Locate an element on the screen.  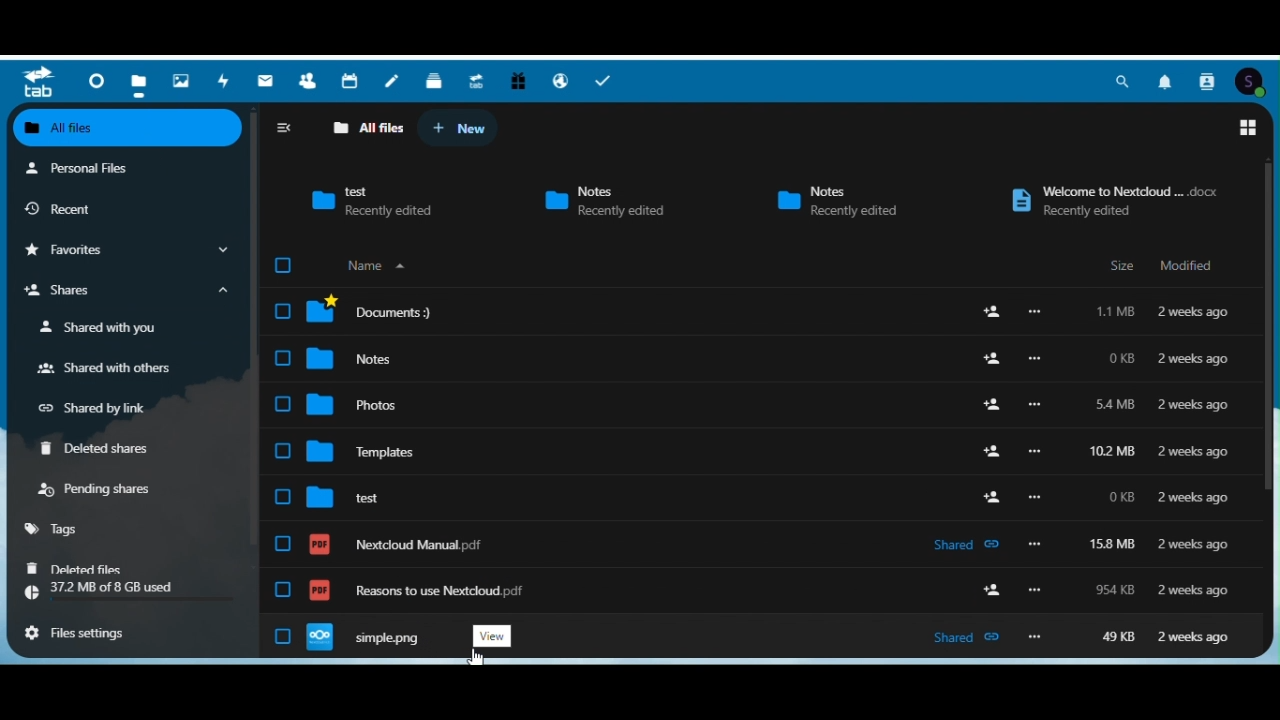
Shared with you is located at coordinates (123, 326).